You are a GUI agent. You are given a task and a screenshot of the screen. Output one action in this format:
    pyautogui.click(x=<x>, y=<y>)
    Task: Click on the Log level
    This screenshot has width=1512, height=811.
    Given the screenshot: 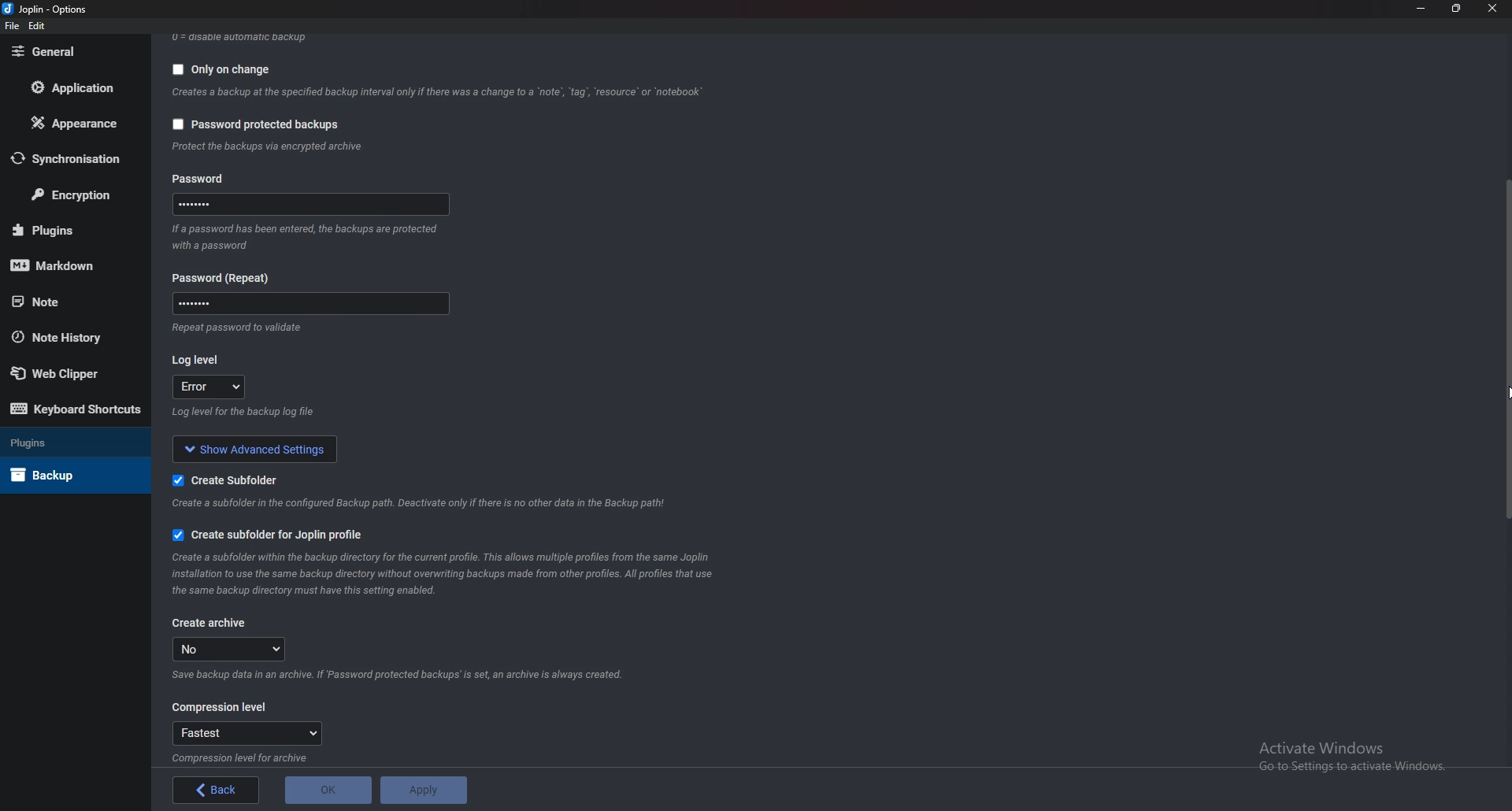 What is the action you would take?
    pyautogui.click(x=198, y=360)
    